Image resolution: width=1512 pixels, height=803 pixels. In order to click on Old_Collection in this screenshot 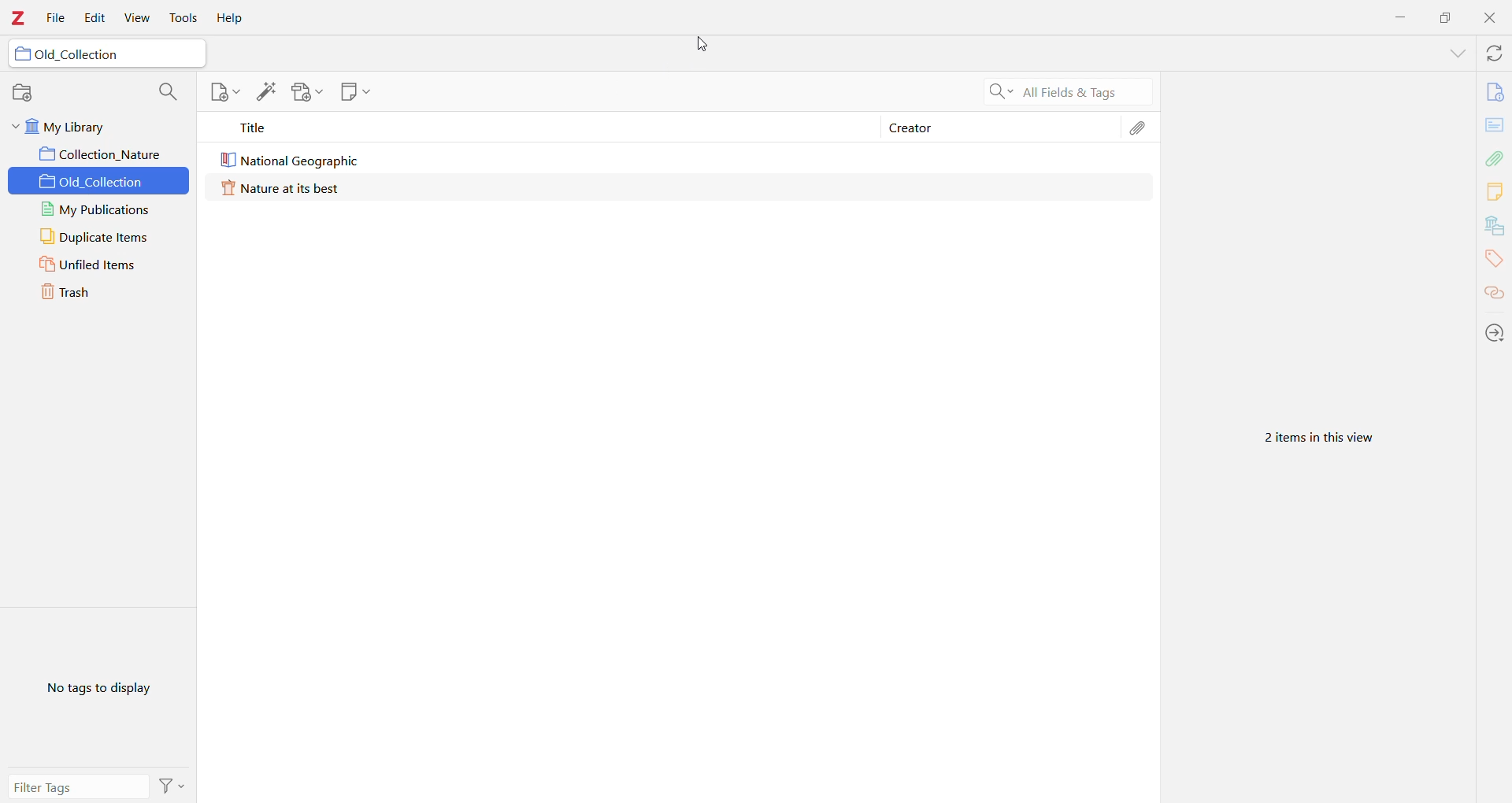, I will do `click(89, 55)`.